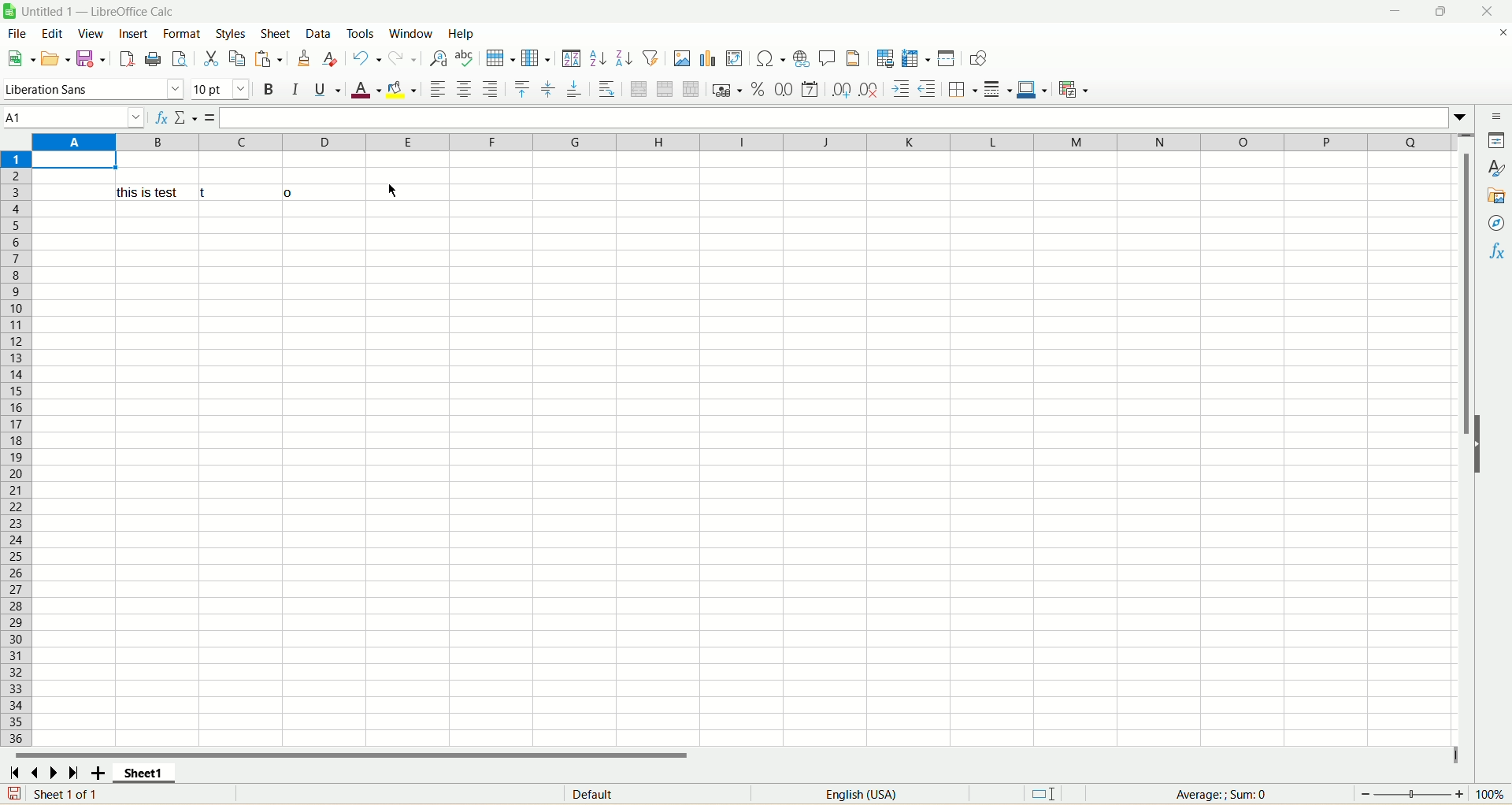 This screenshot has width=1512, height=805. I want to click on paste, so click(268, 58).